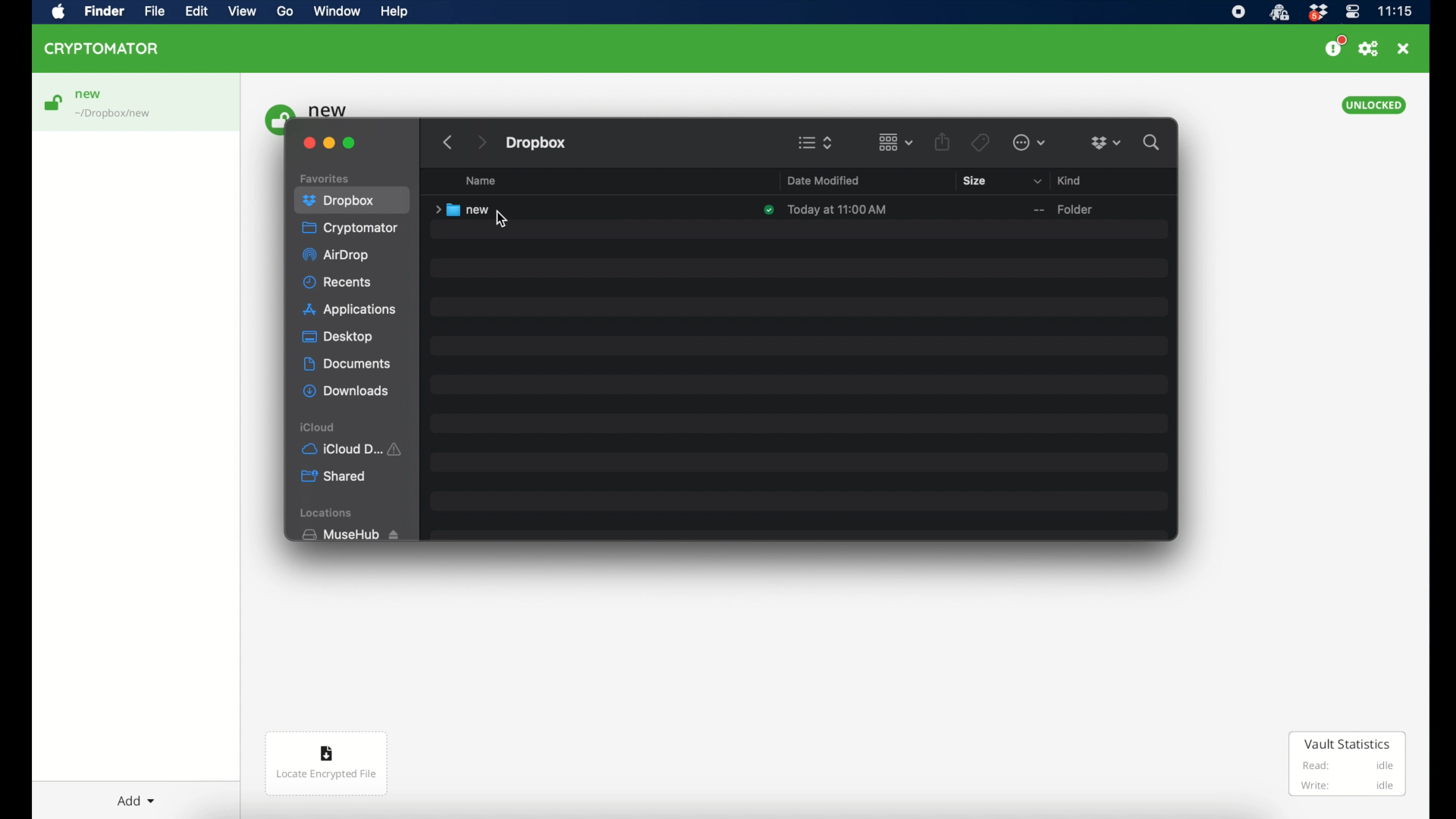 This screenshot has height=819, width=1456. Describe the element at coordinates (1348, 764) in the screenshot. I see `vault statistics` at that location.